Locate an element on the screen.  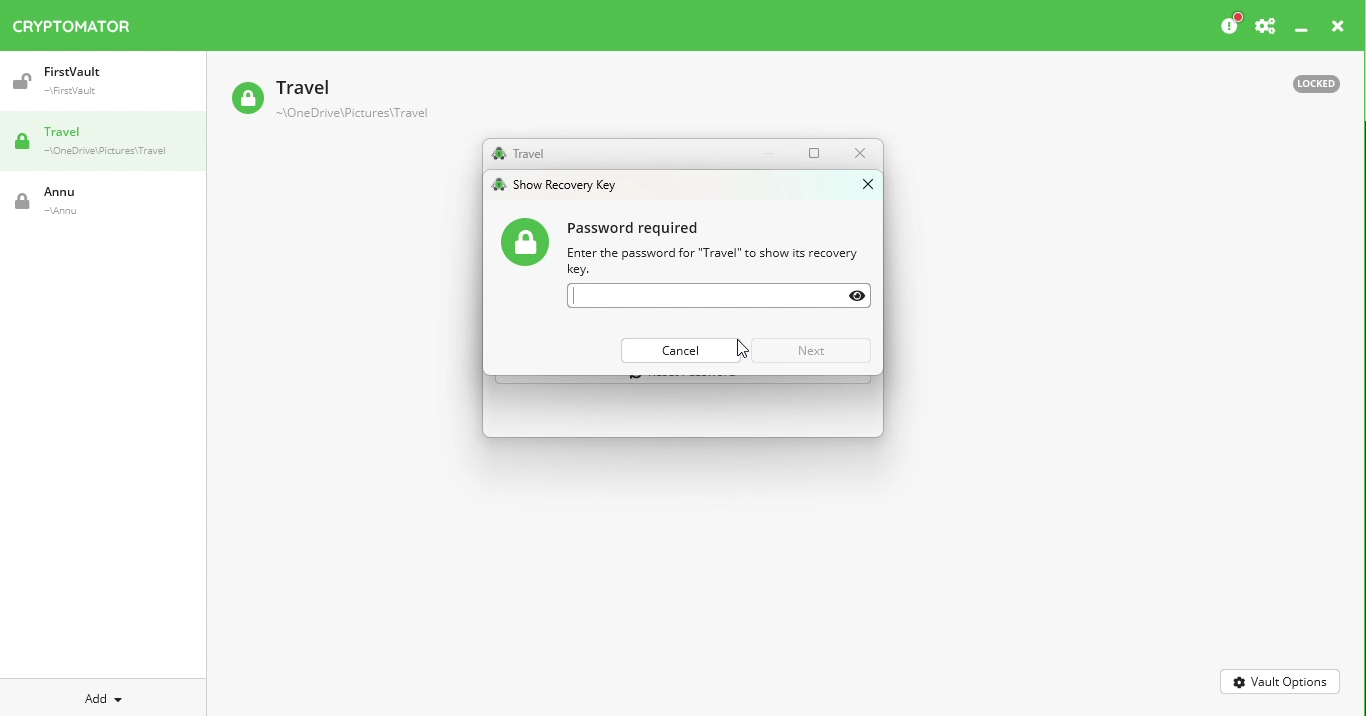
Minimize is located at coordinates (774, 153).